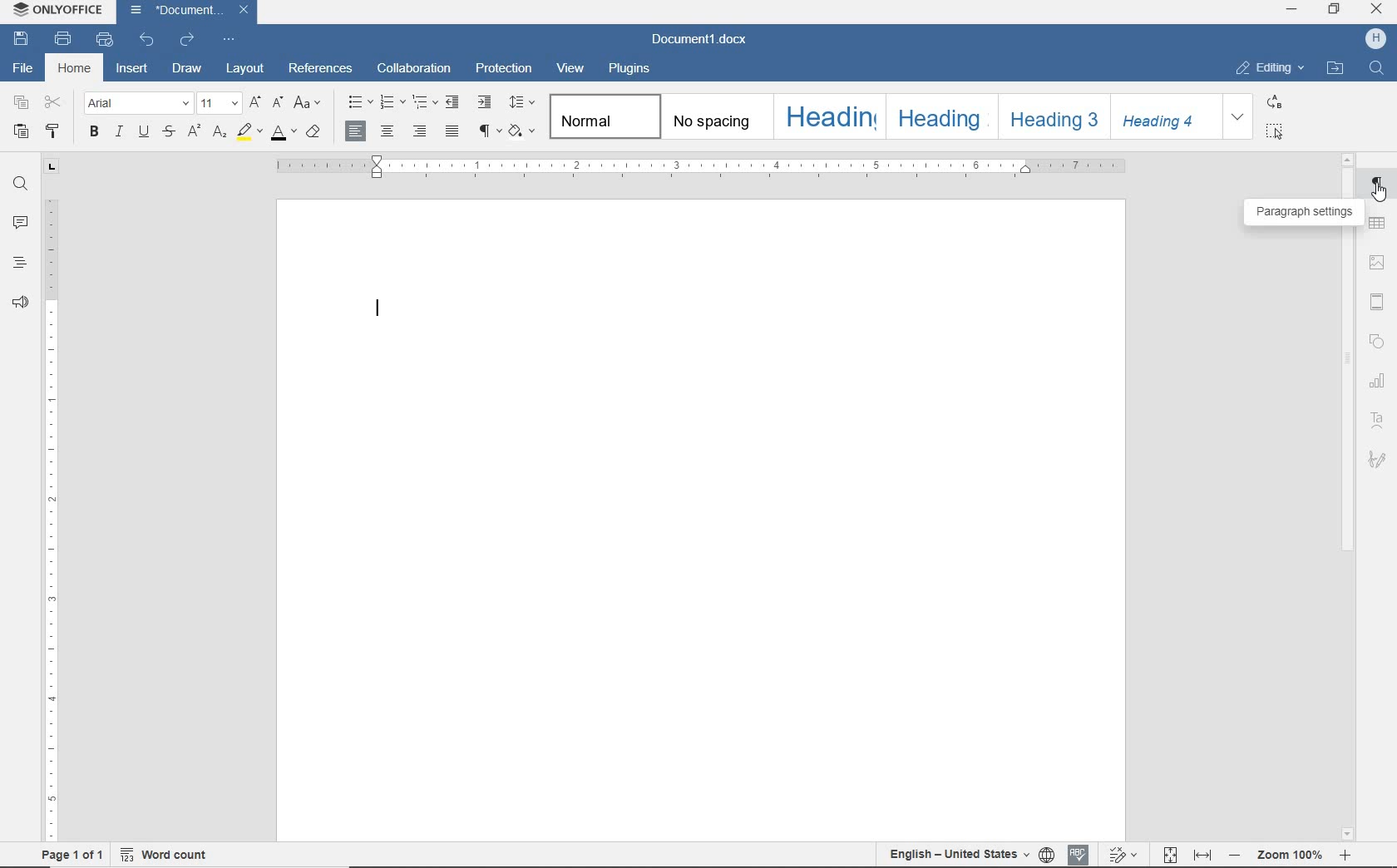 This screenshot has width=1397, height=868. What do you see at coordinates (219, 105) in the screenshot?
I see `font size` at bounding box center [219, 105].